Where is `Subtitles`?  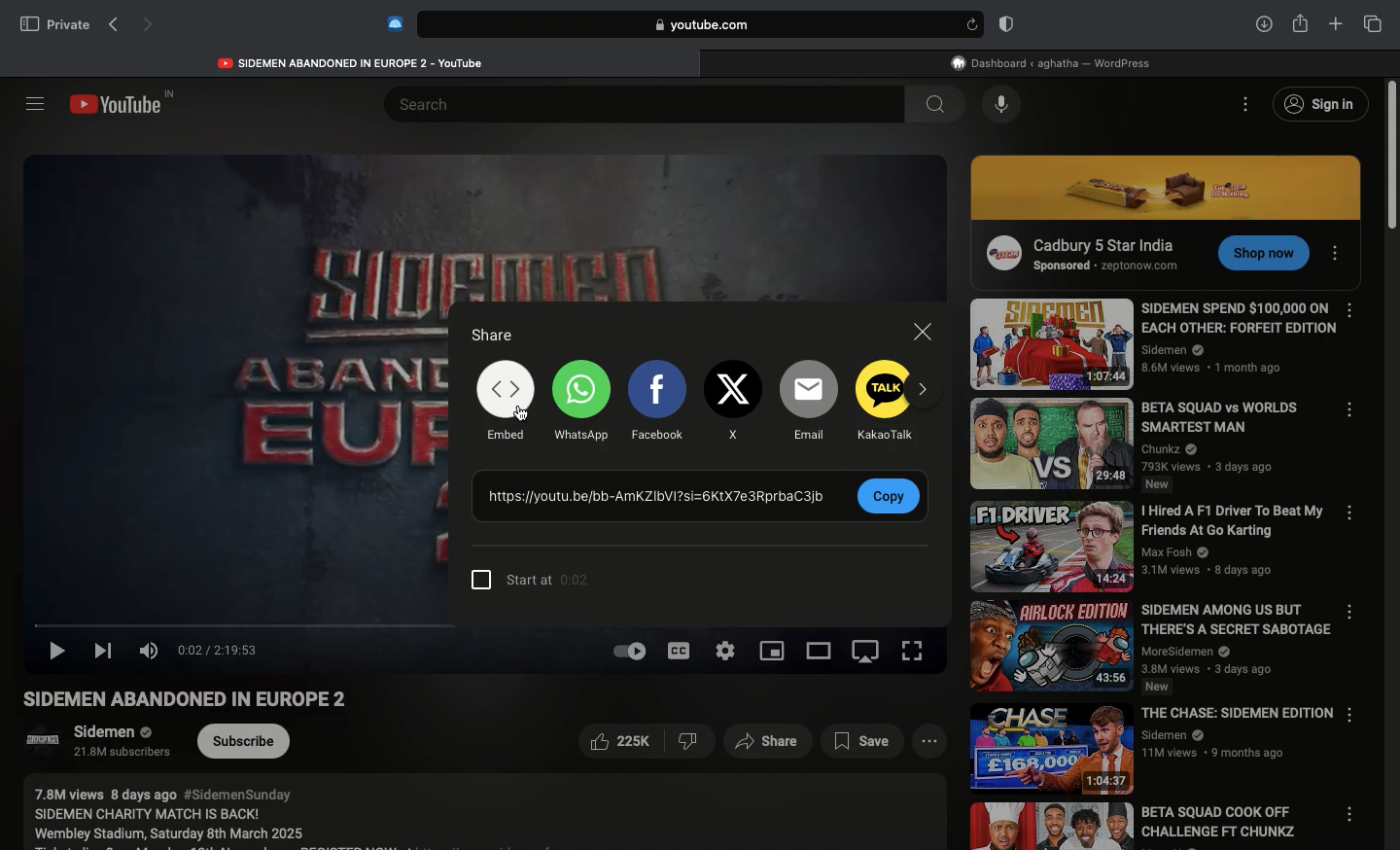
Subtitles is located at coordinates (681, 651).